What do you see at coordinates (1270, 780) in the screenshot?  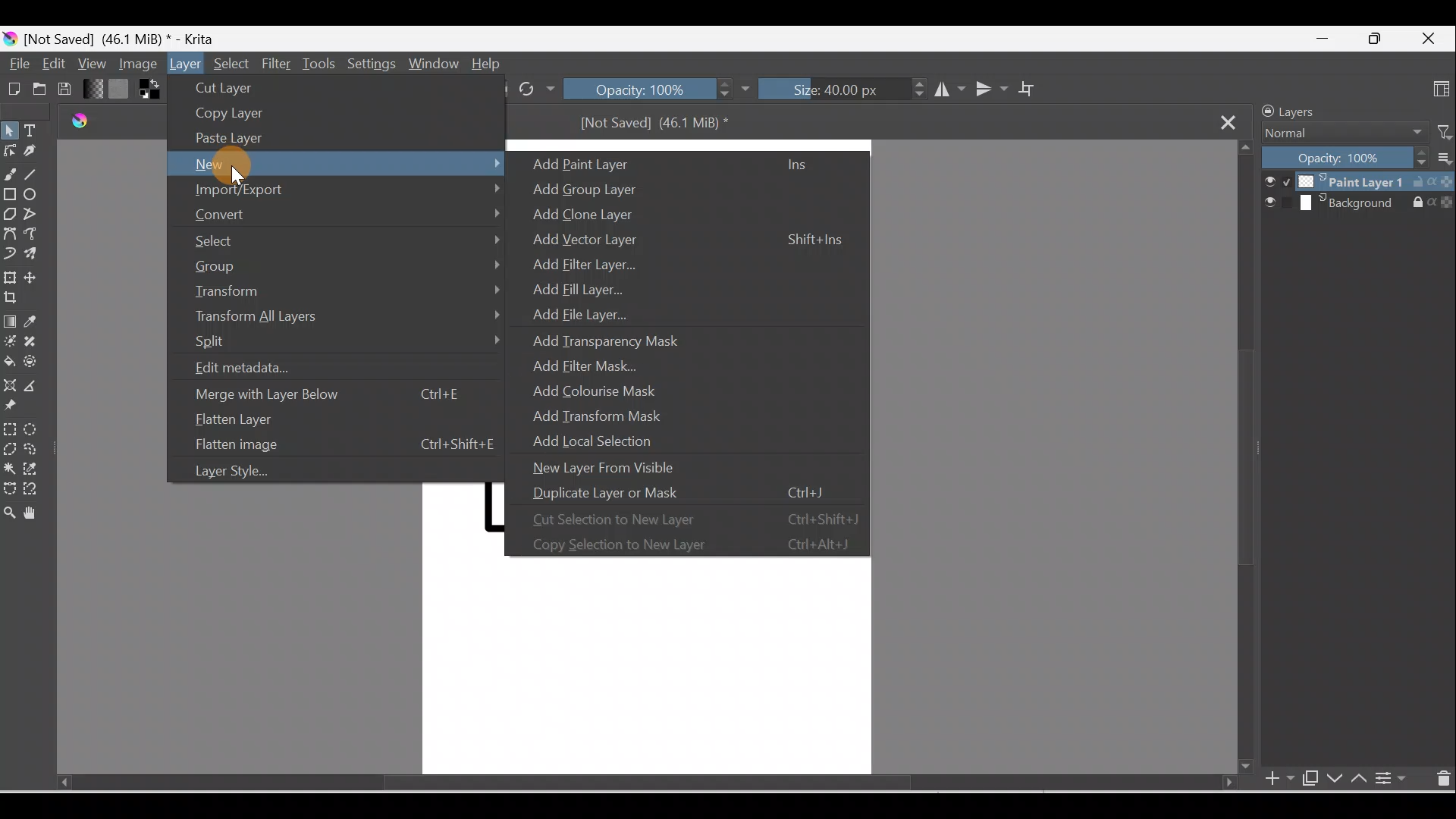 I see `Add layer` at bounding box center [1270, 780].